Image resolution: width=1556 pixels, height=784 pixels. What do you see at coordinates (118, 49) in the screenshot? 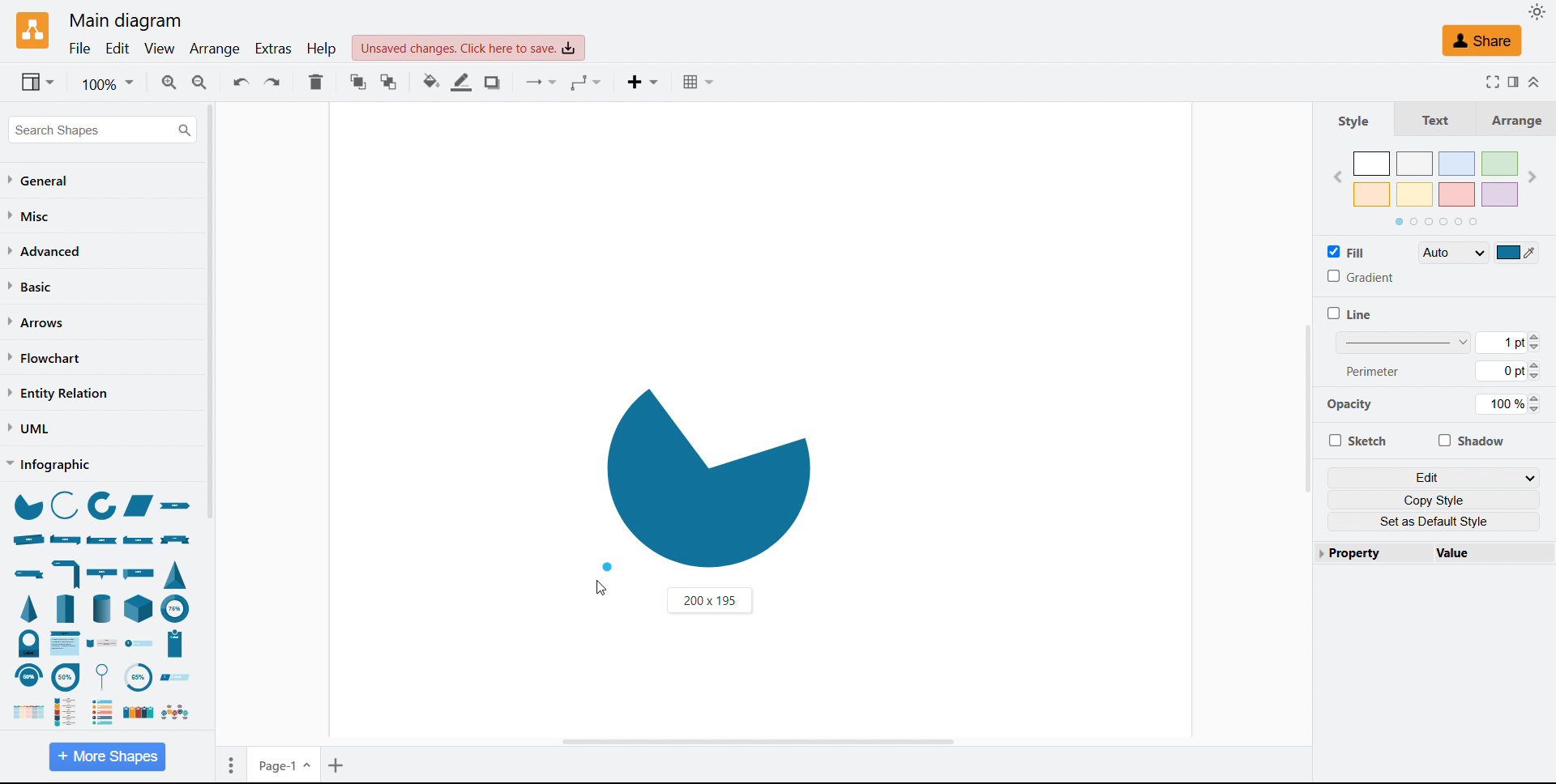
I see `Edit ` at bounding box center [118, 49].